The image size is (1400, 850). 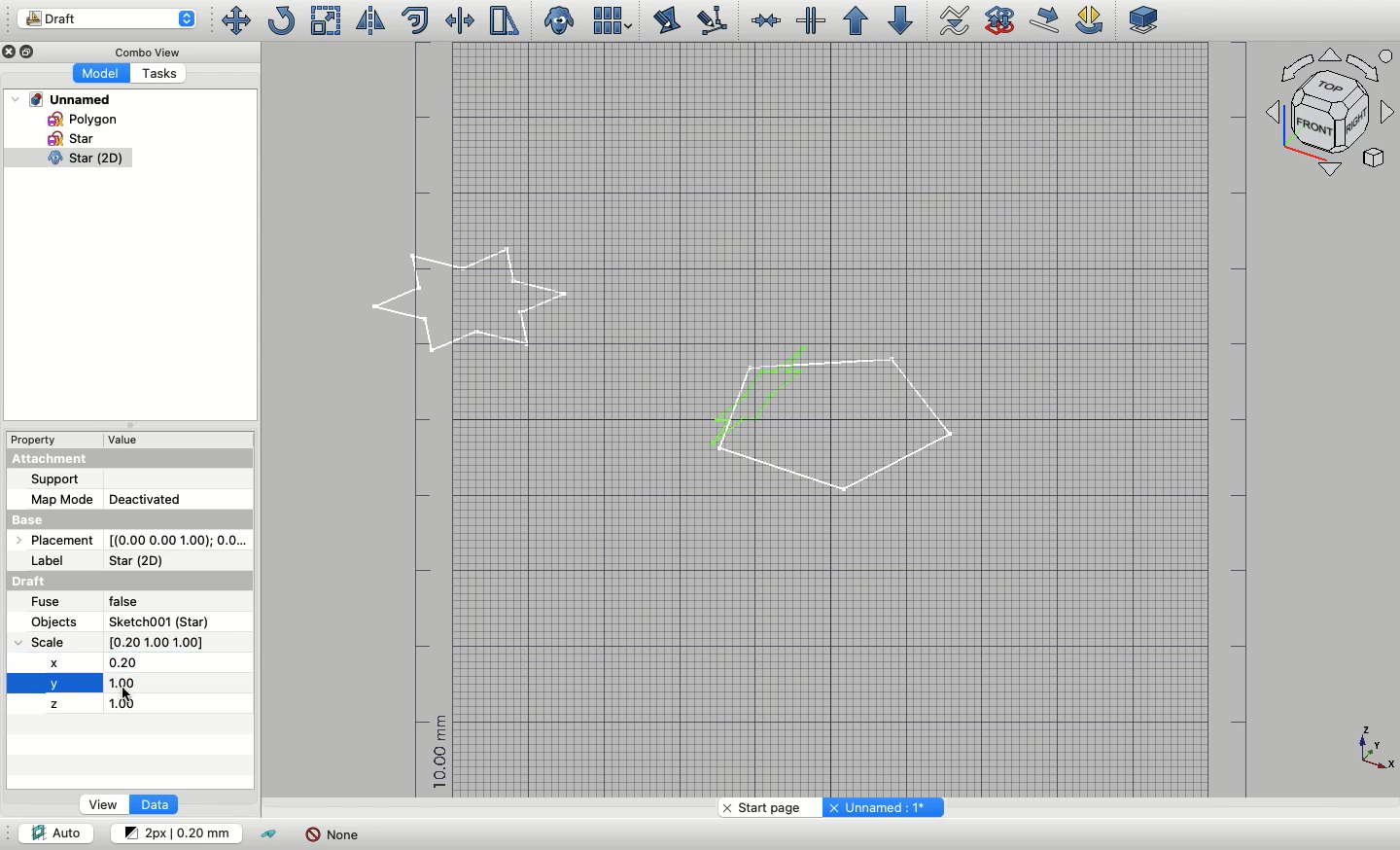 I want to click on Star shape added to polygon, so click(x=827, y=405).